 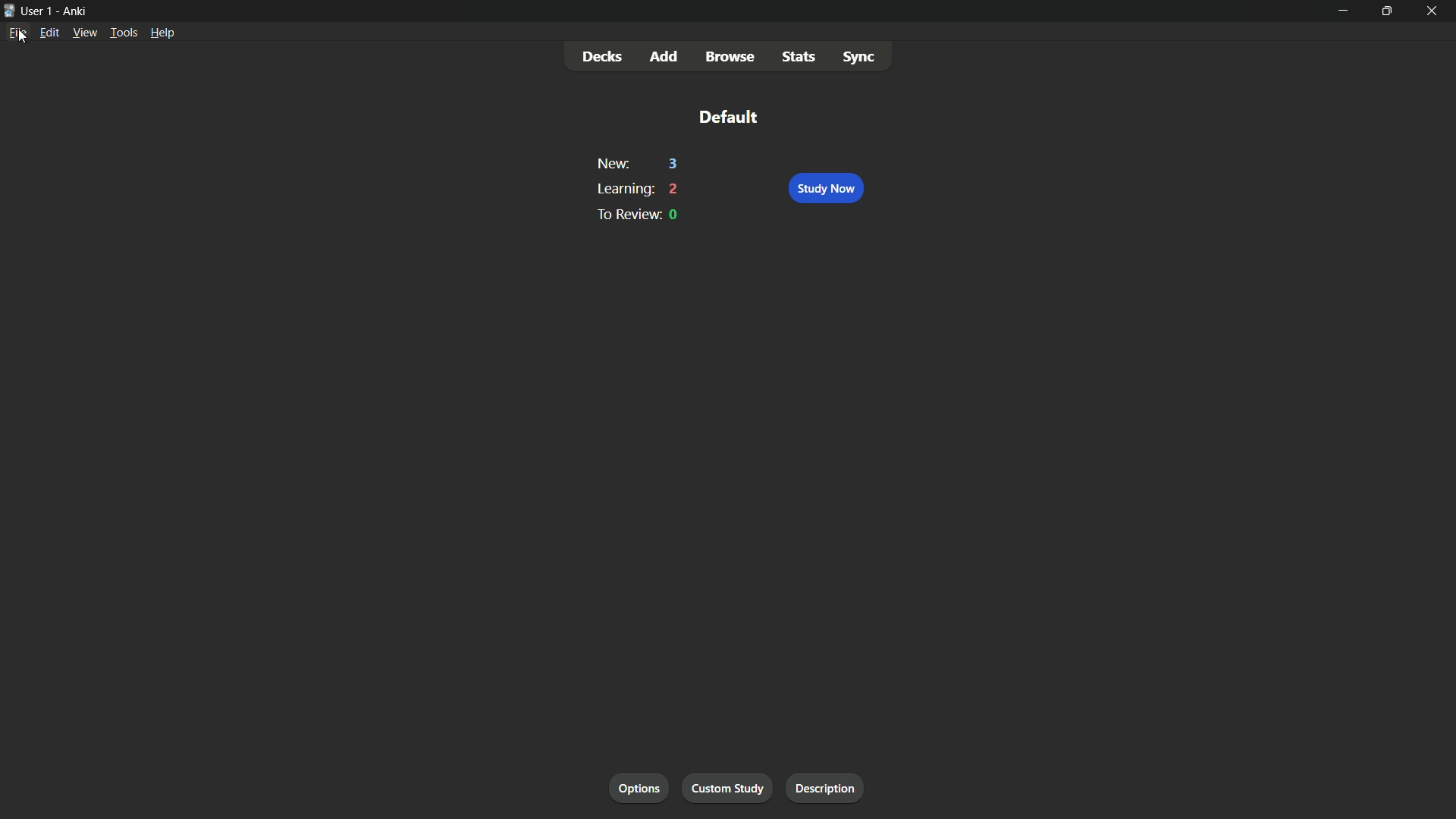 What do you see at coordinates (733, 788) in the screenshot?
I see `create desk` at bounding box center [733, 788].